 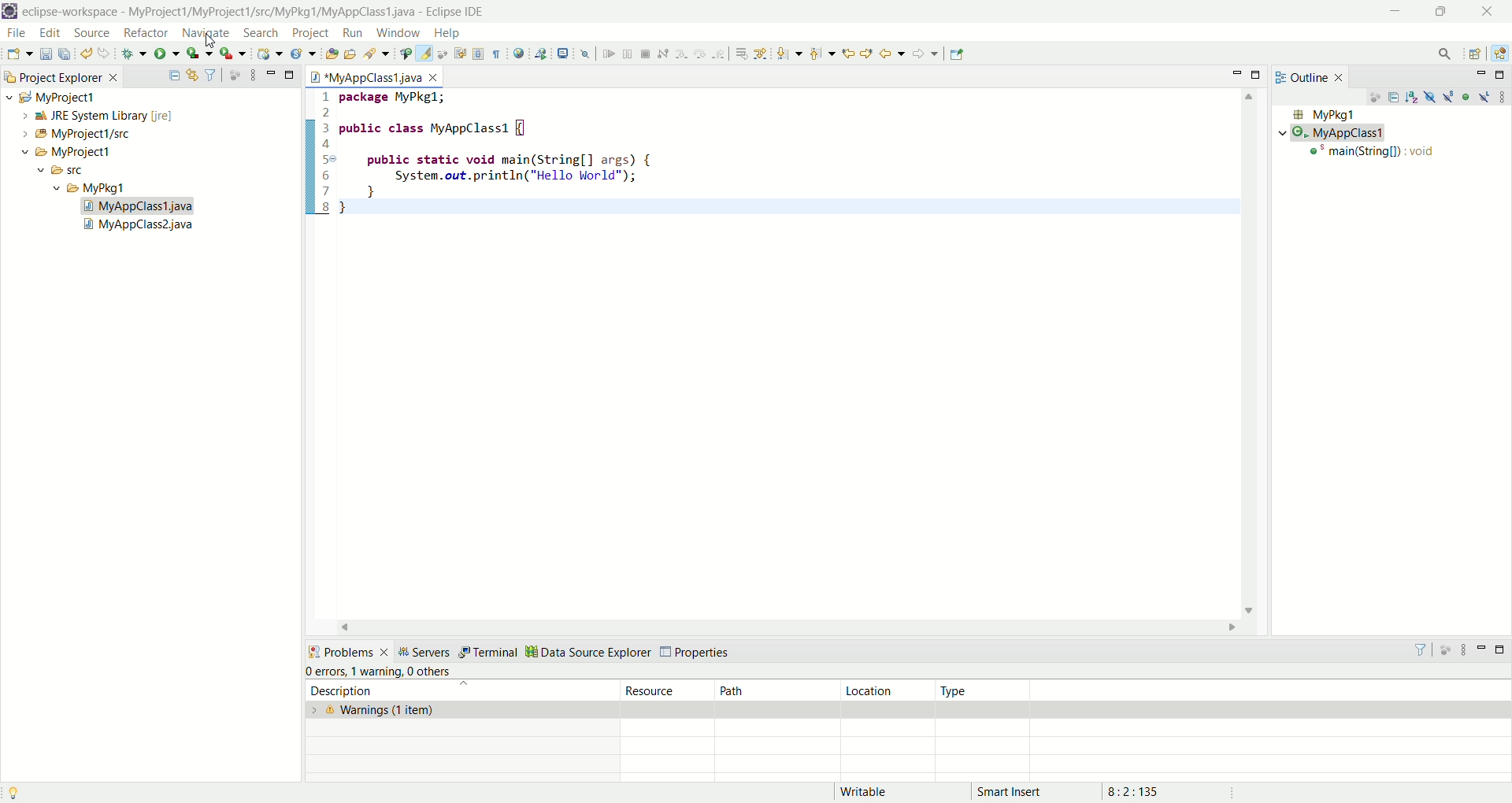 I want to click on open task, so click(x=349, y=54).